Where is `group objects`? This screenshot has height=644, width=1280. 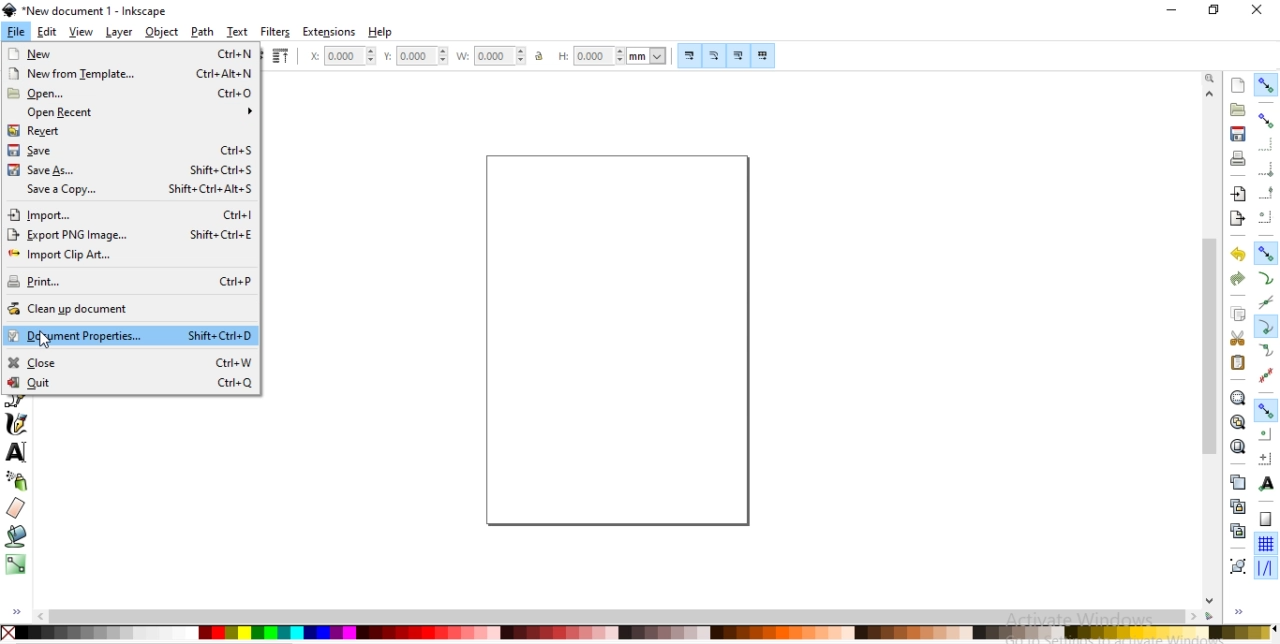 group objects is located at coordinates (1236, 566).